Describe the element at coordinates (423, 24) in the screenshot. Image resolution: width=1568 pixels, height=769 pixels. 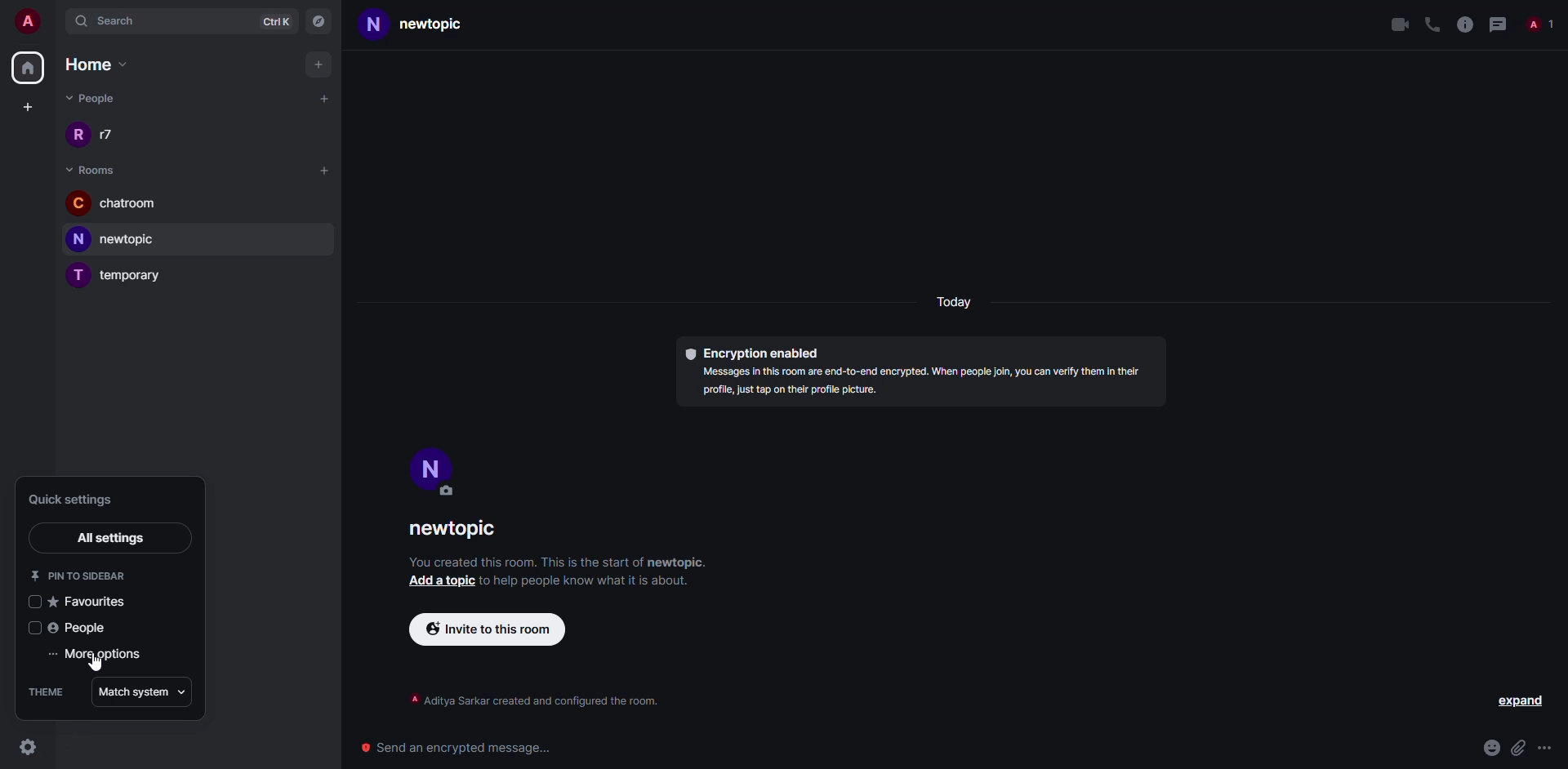
I see `room` at that location.